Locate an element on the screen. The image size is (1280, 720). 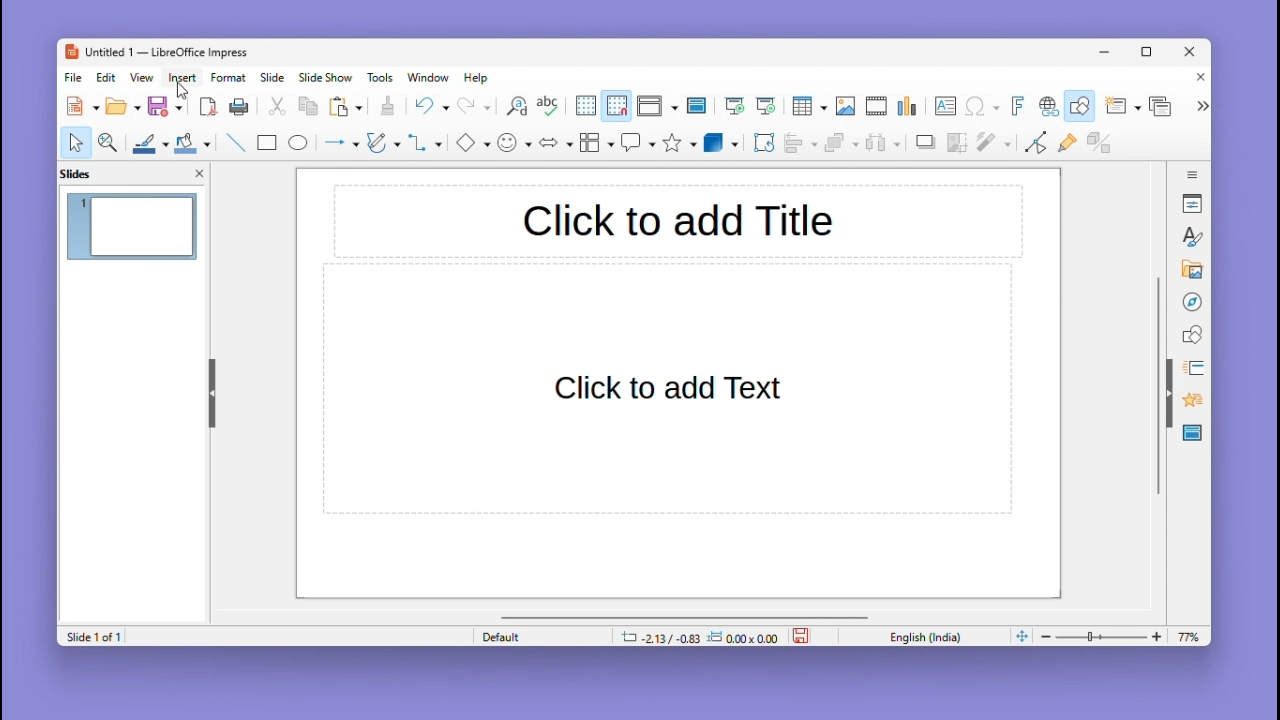
Navigator is located at coordinates (1192, 300).